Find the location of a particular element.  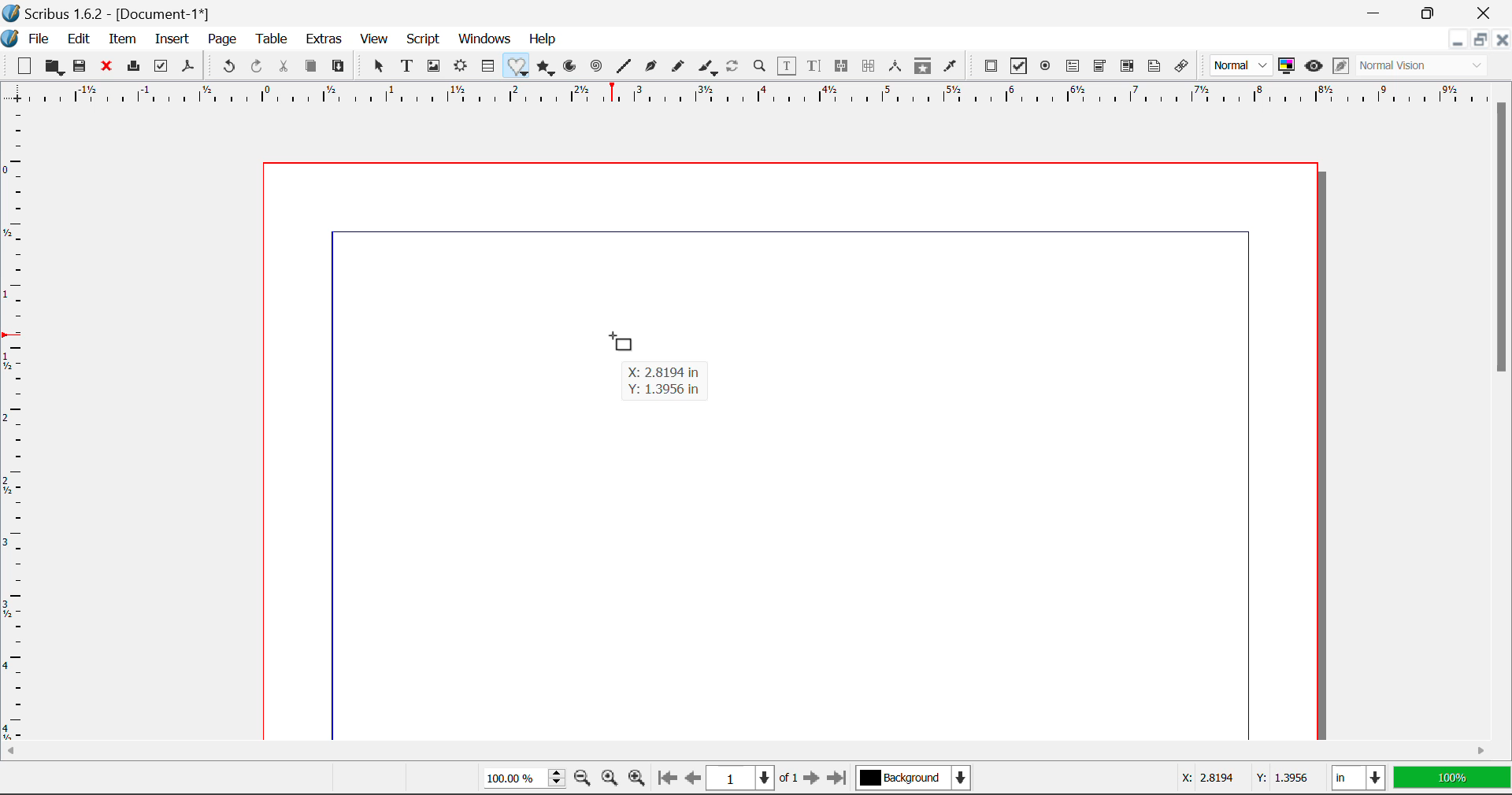

Cursor Coordinates is located at coordinates (665, 381).